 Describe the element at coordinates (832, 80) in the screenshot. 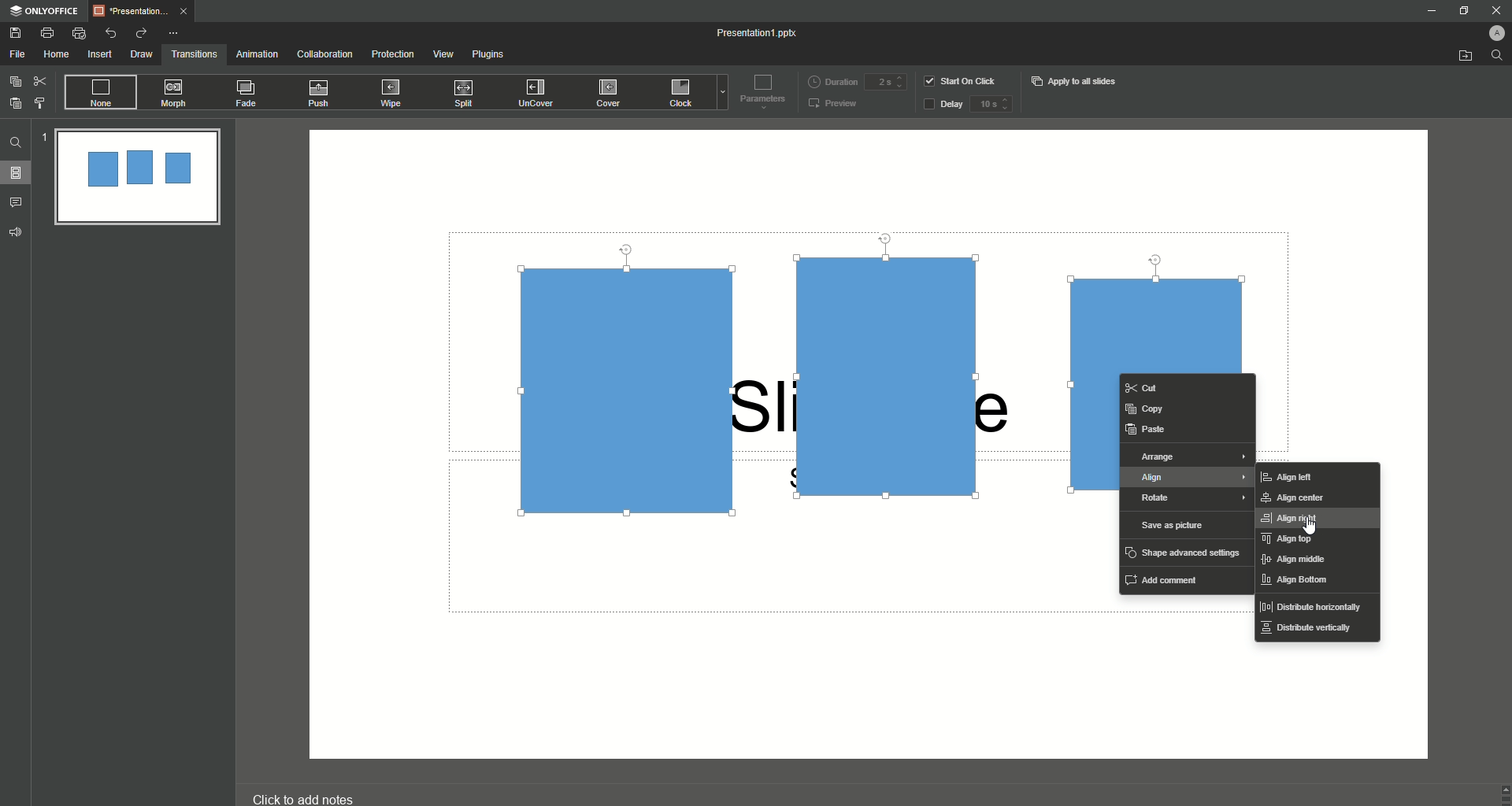

I see `Duration` at that location.